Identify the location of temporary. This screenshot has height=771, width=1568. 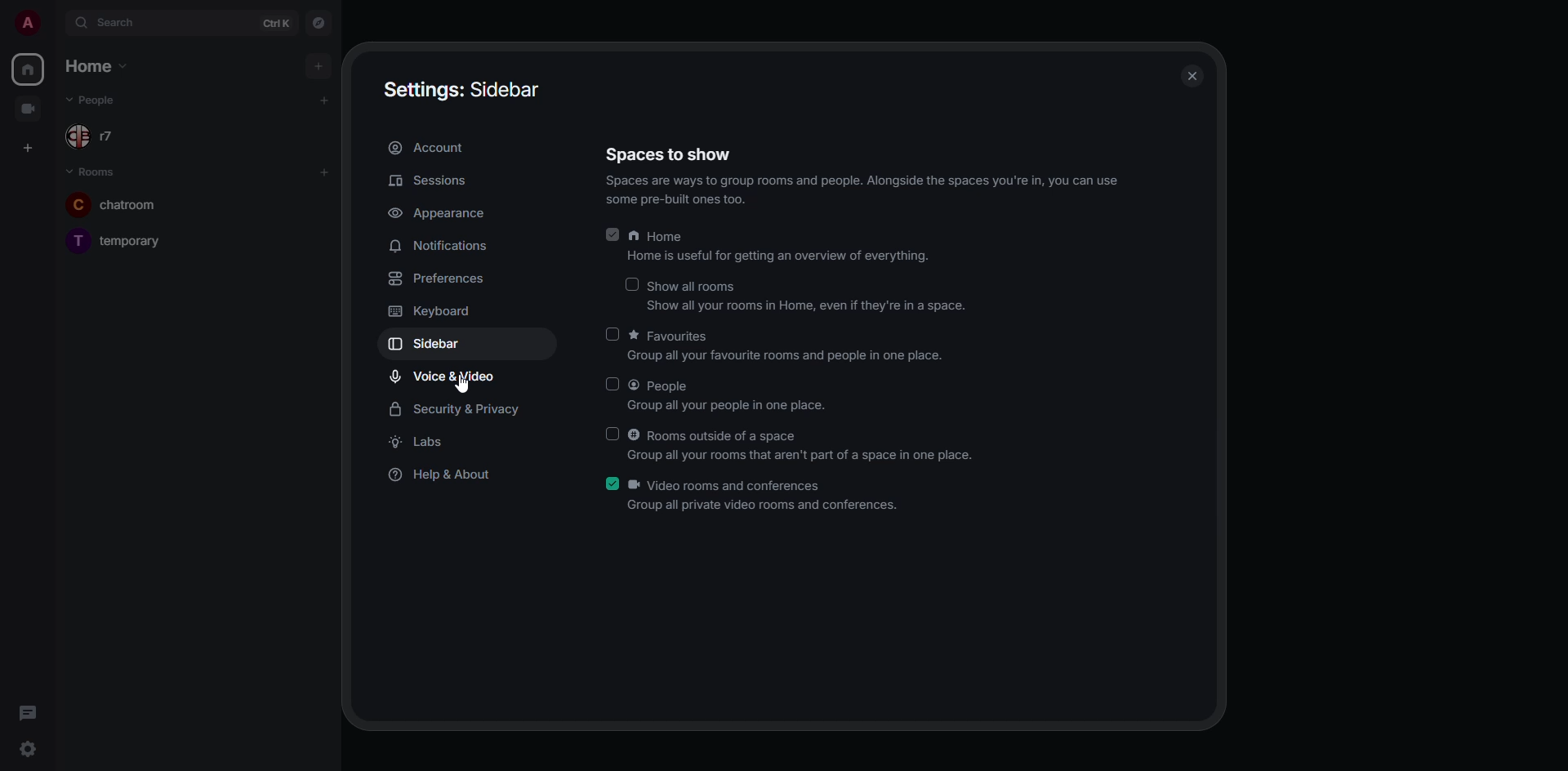
(115, 240).